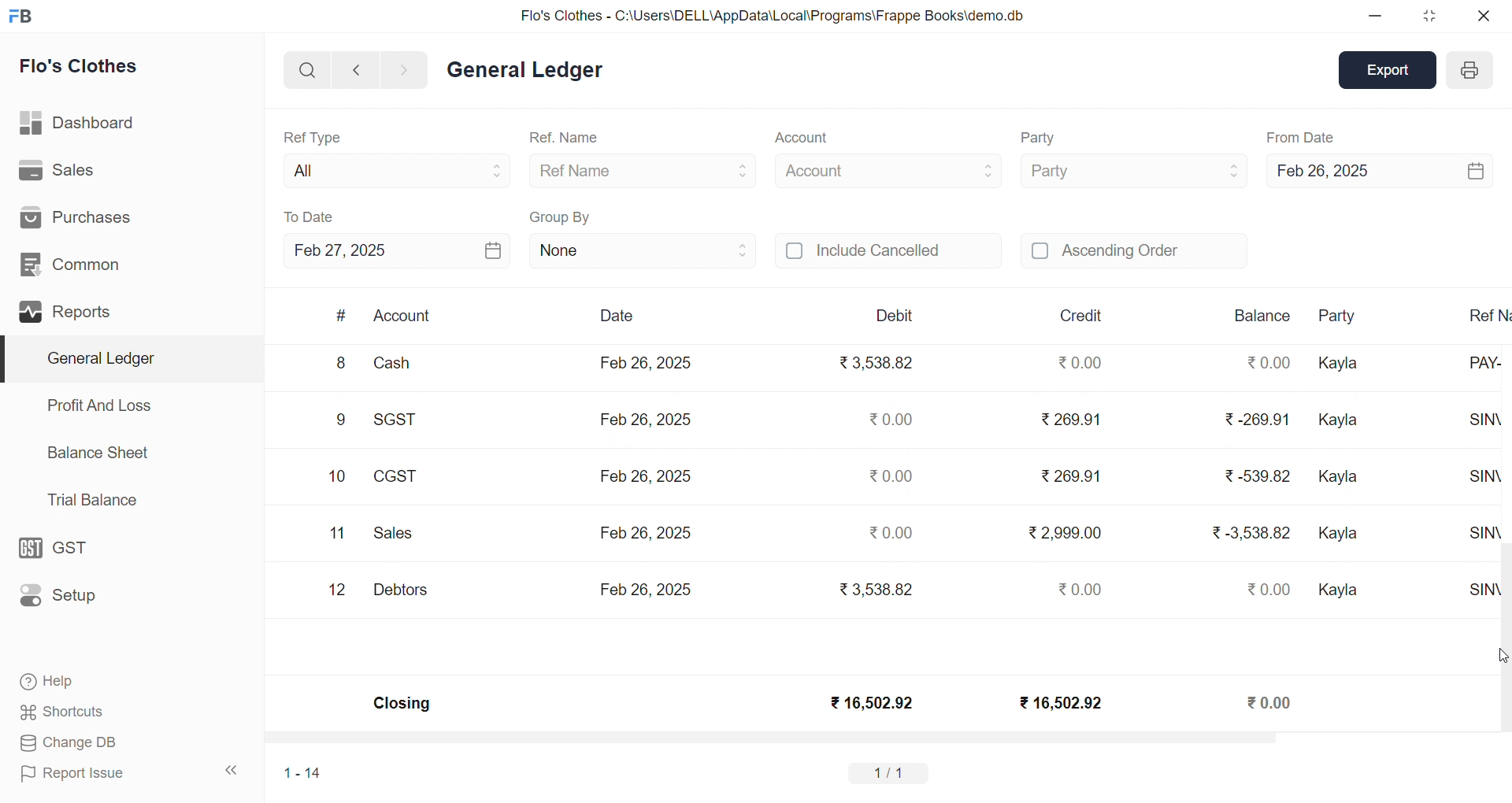 This screenshot has height=803, width=1512. I want to click on CURSOR, so click(1503, 656).